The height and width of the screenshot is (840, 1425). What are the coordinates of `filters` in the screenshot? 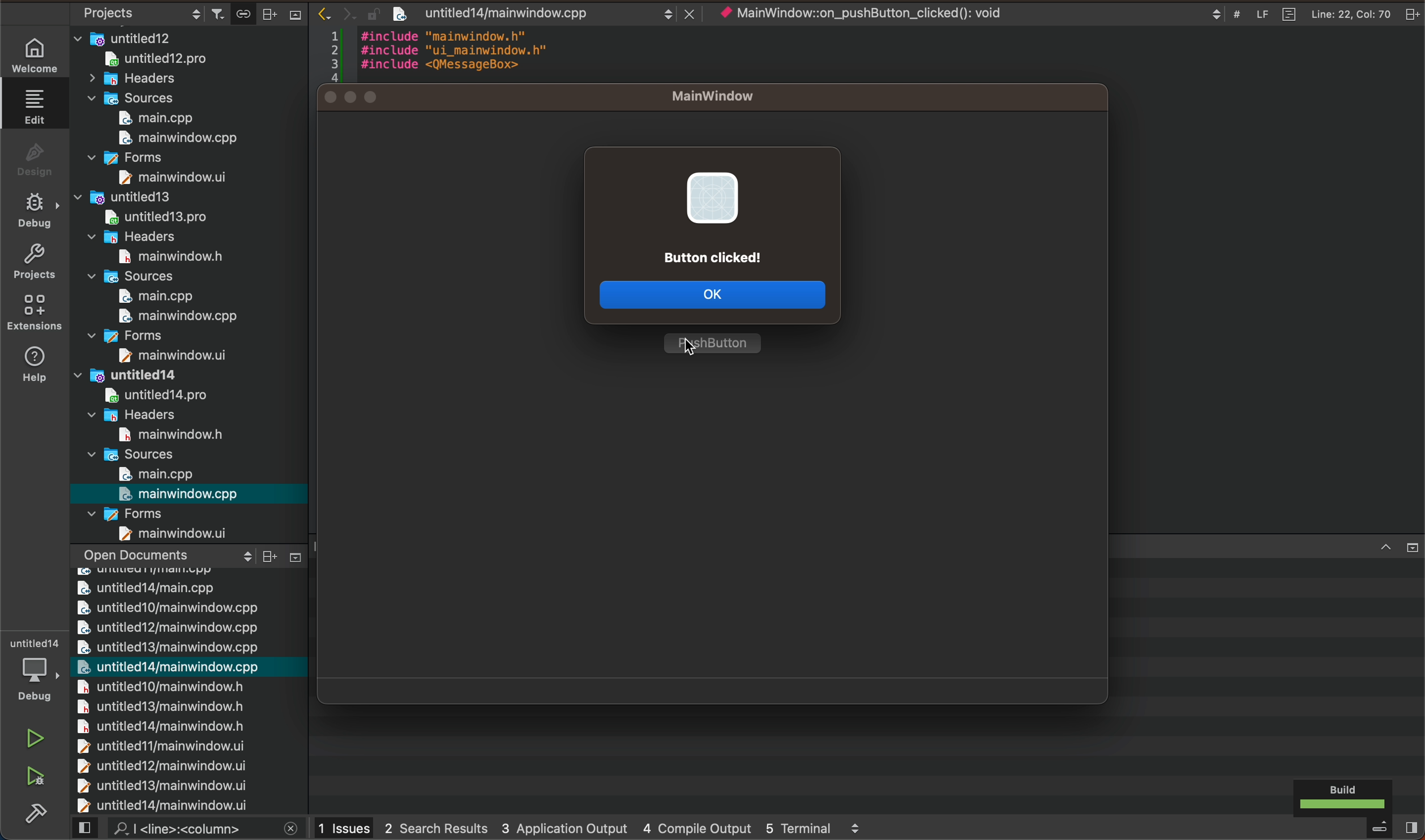 It's located at (257, 12).